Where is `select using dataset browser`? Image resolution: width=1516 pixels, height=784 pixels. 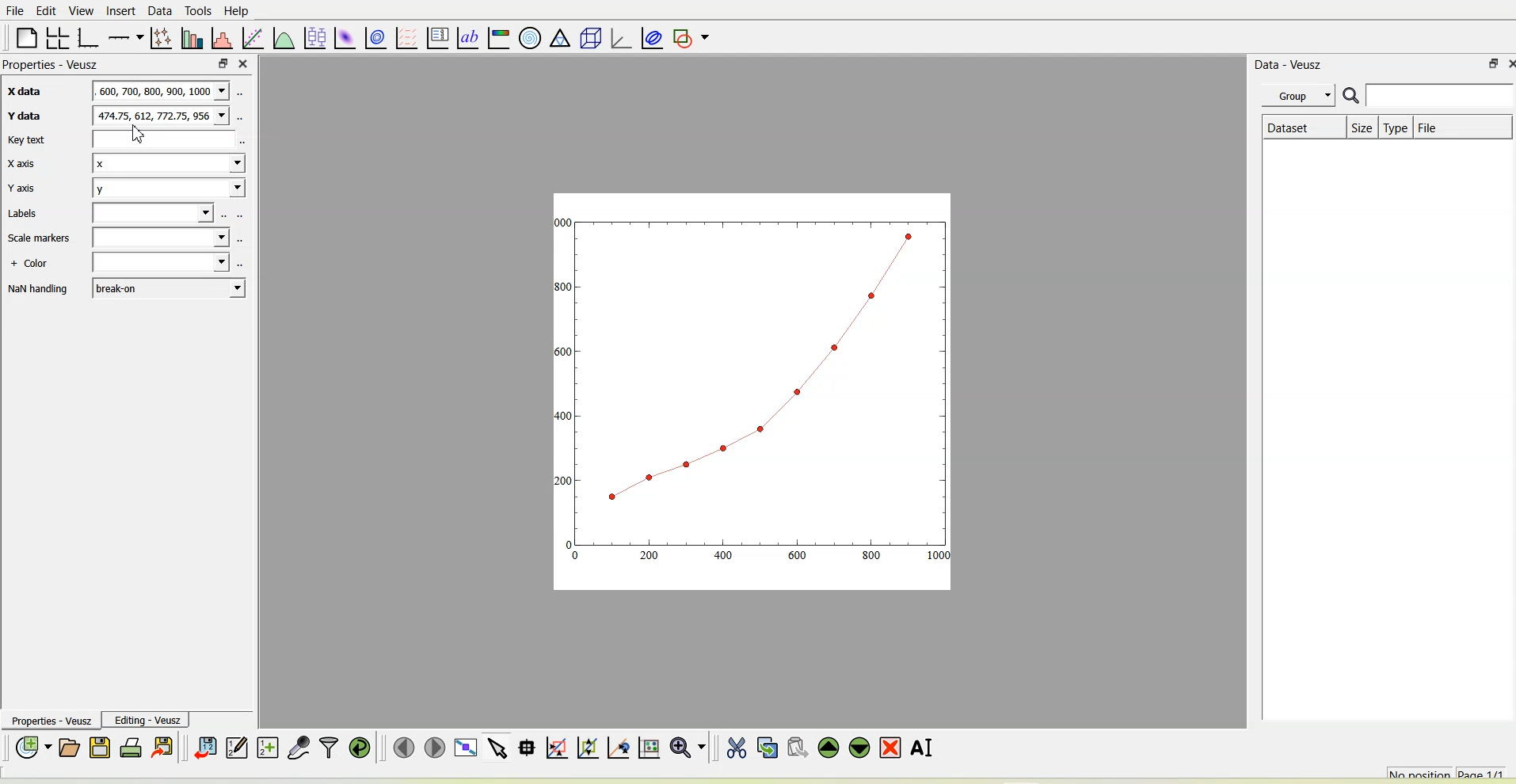 select using dataset browser is located at coordinates (240, 238).